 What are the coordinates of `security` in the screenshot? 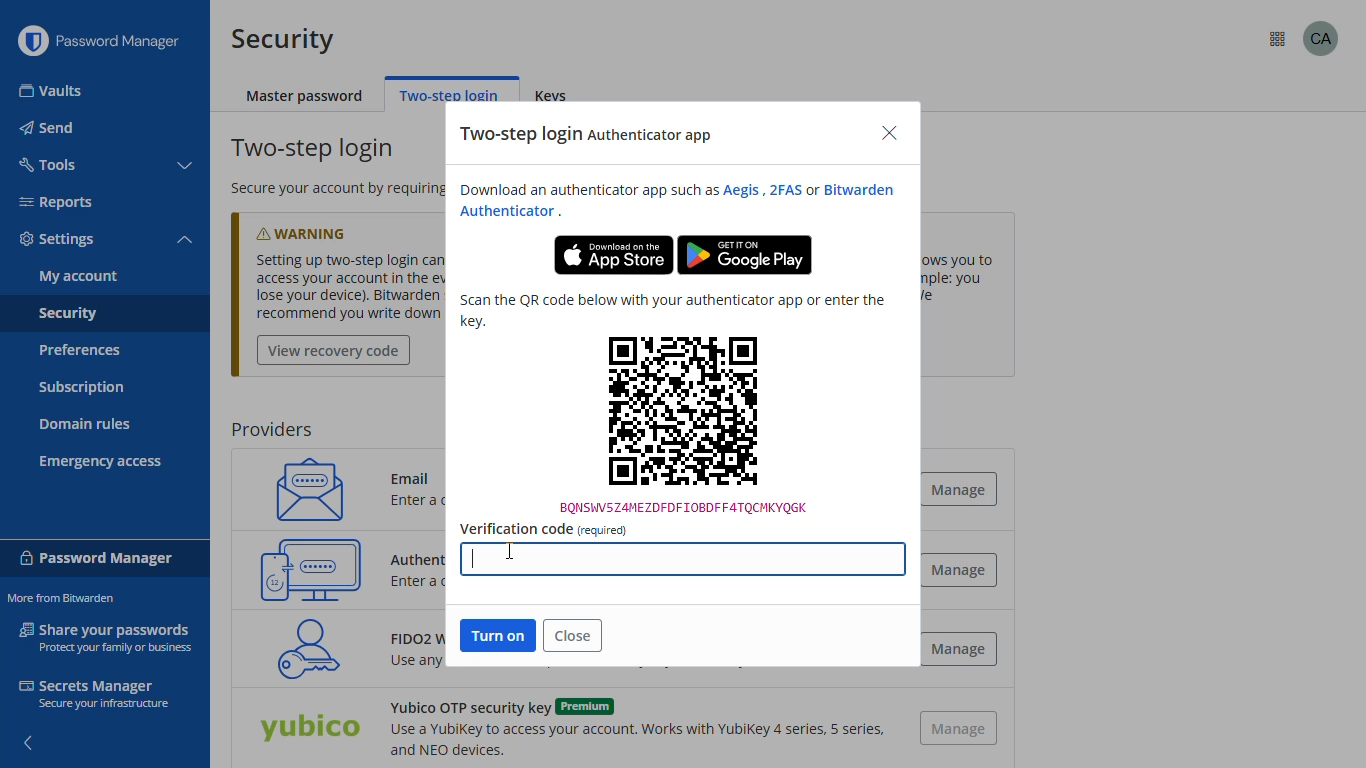 It's located at (67, 315).